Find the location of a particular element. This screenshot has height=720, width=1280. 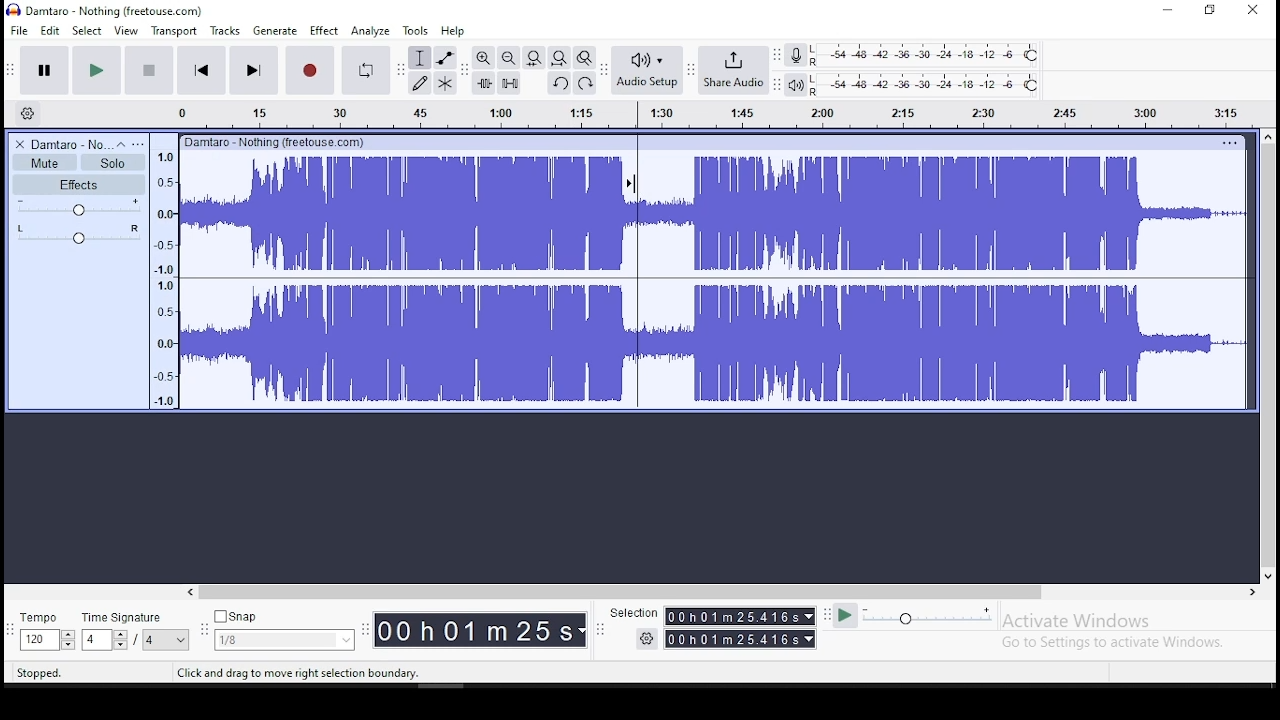

generate is located at coordinates (277, 31).